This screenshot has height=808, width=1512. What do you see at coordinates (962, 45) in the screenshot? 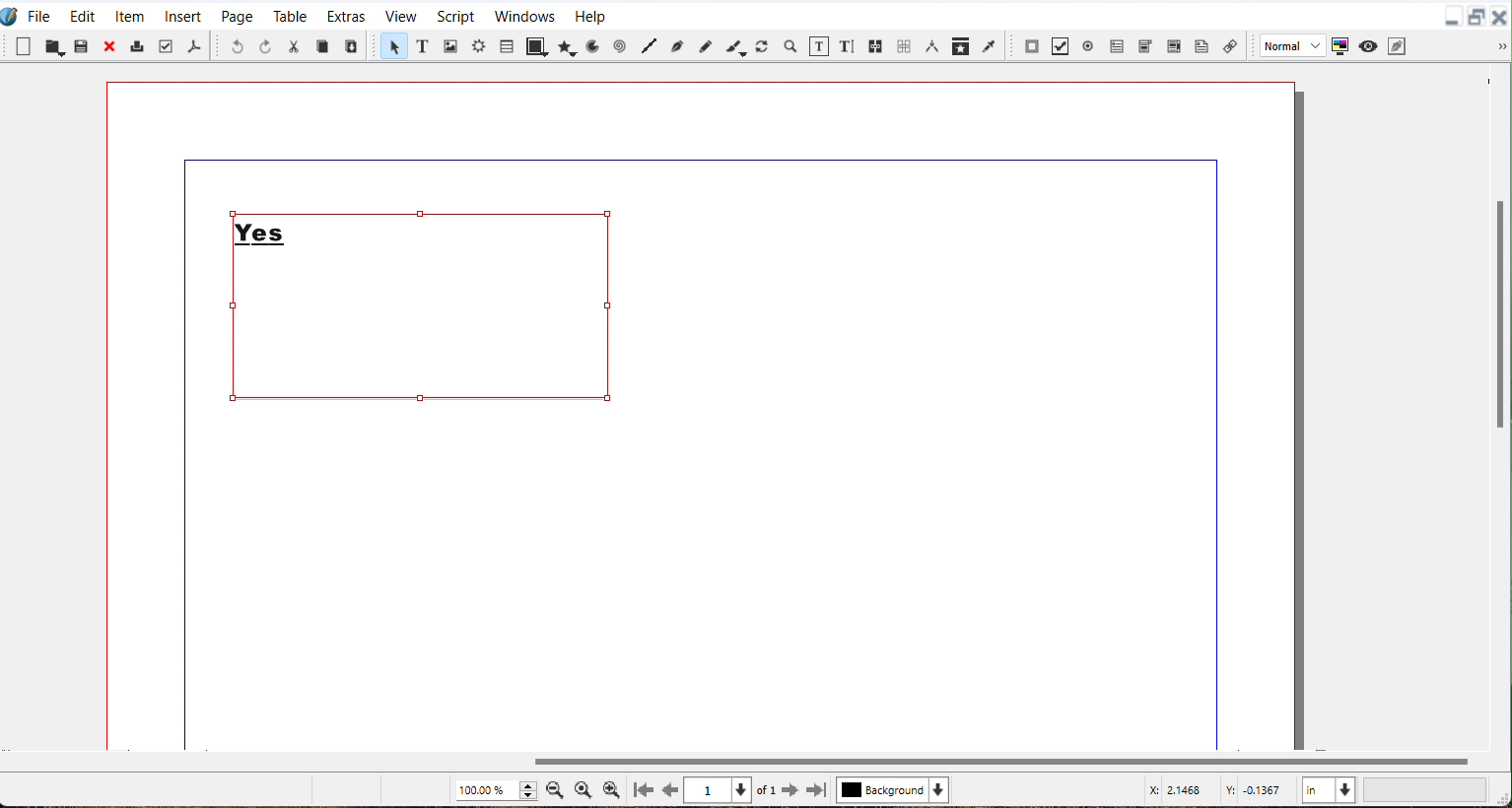
I see `Copy item Properties` at bounding box center [962, 45].